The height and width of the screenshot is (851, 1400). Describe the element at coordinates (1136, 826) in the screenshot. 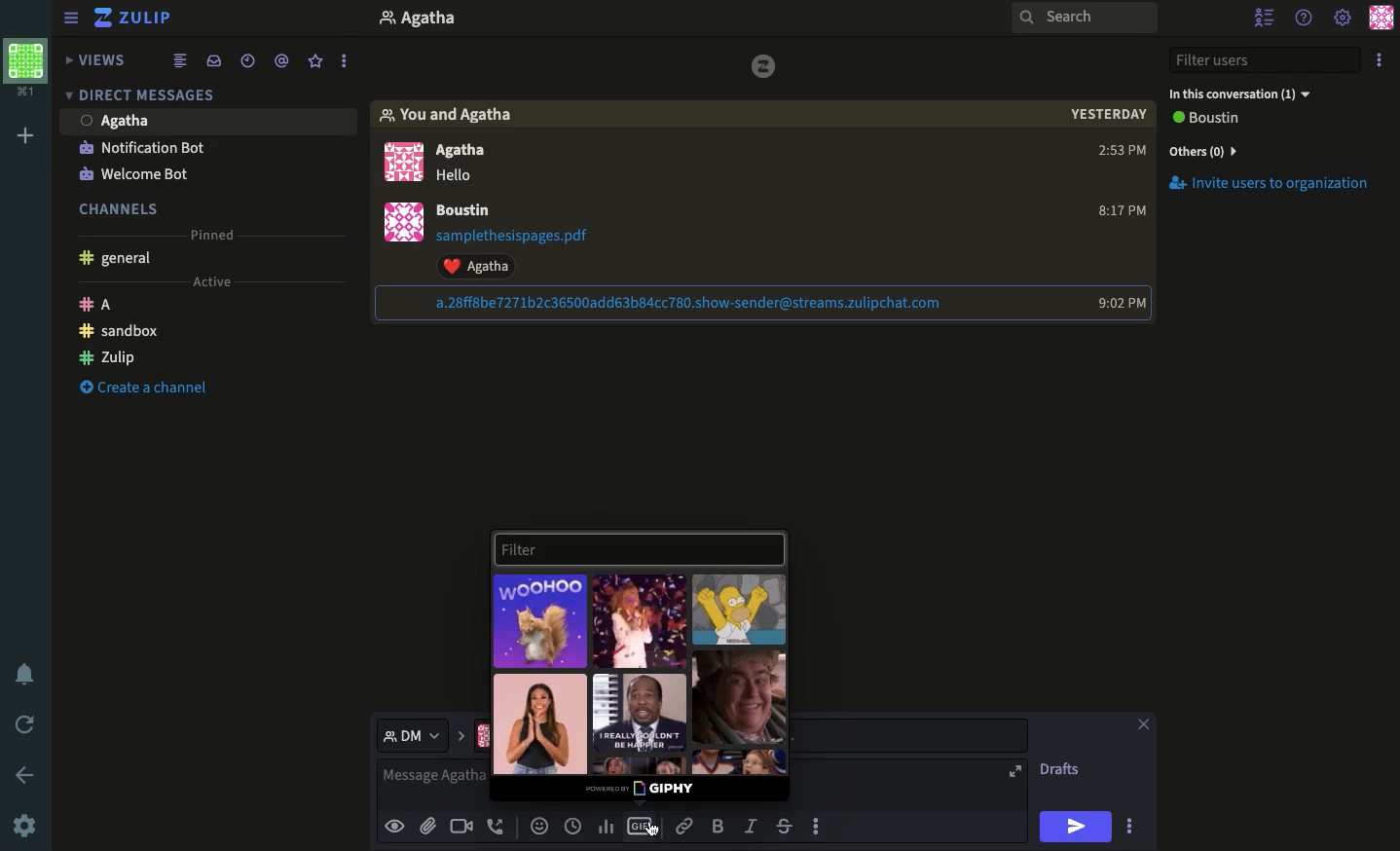

I see `More Options` at that location.